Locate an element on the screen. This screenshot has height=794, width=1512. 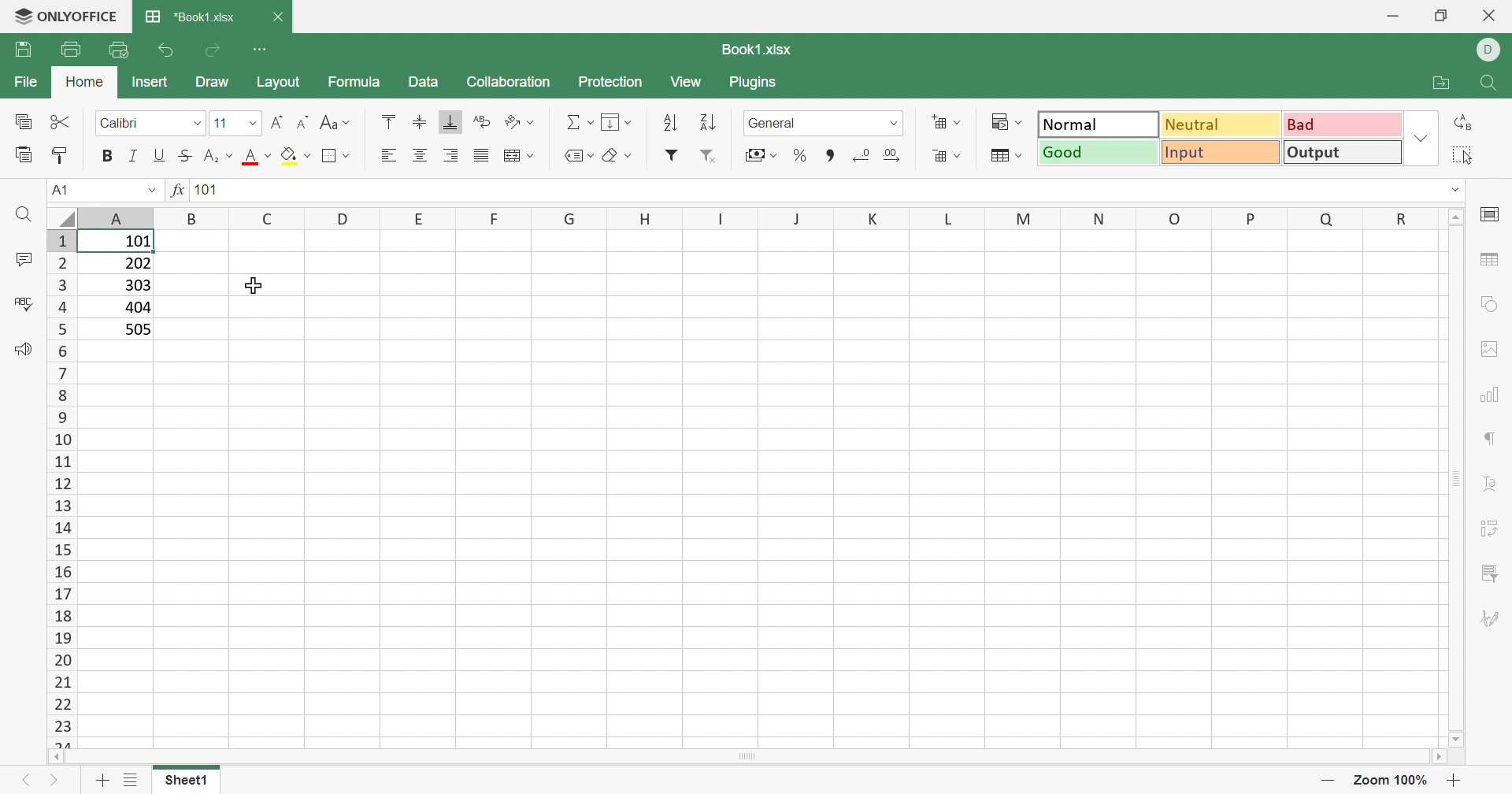
Justified is located at coordinates (484, 154).